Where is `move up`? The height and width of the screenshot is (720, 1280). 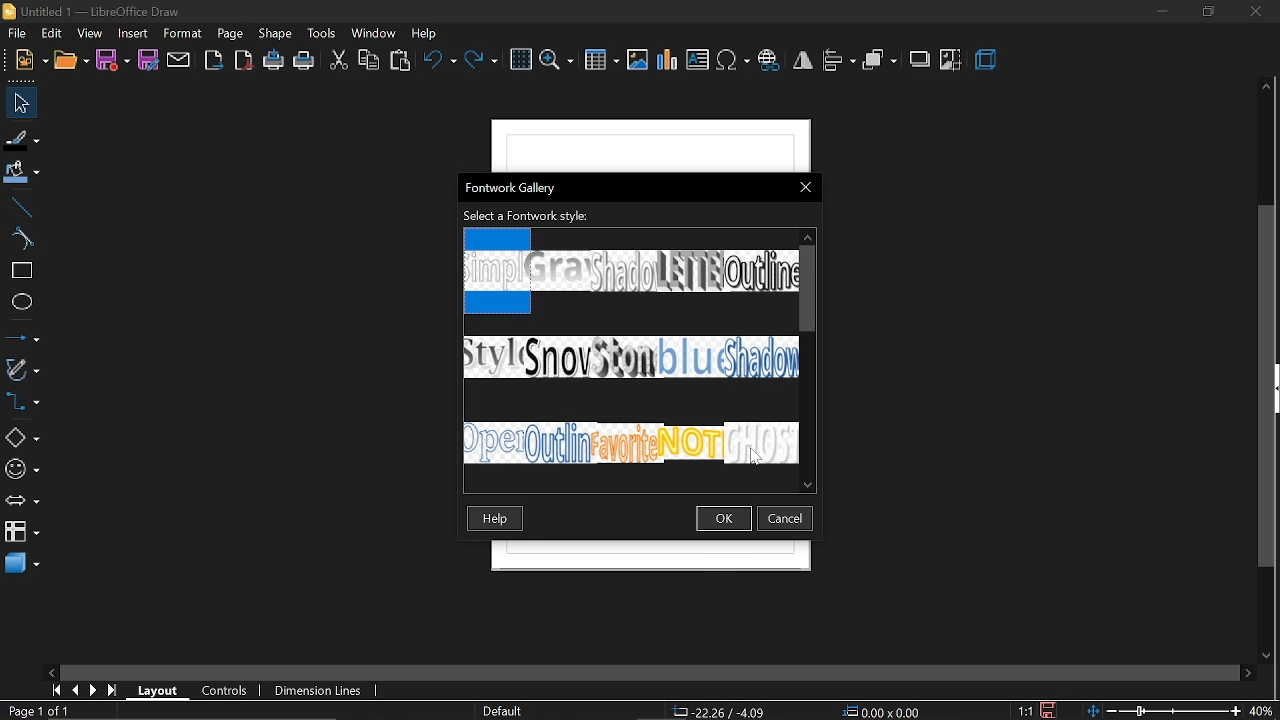 move up is located at coordinates (808, 235).